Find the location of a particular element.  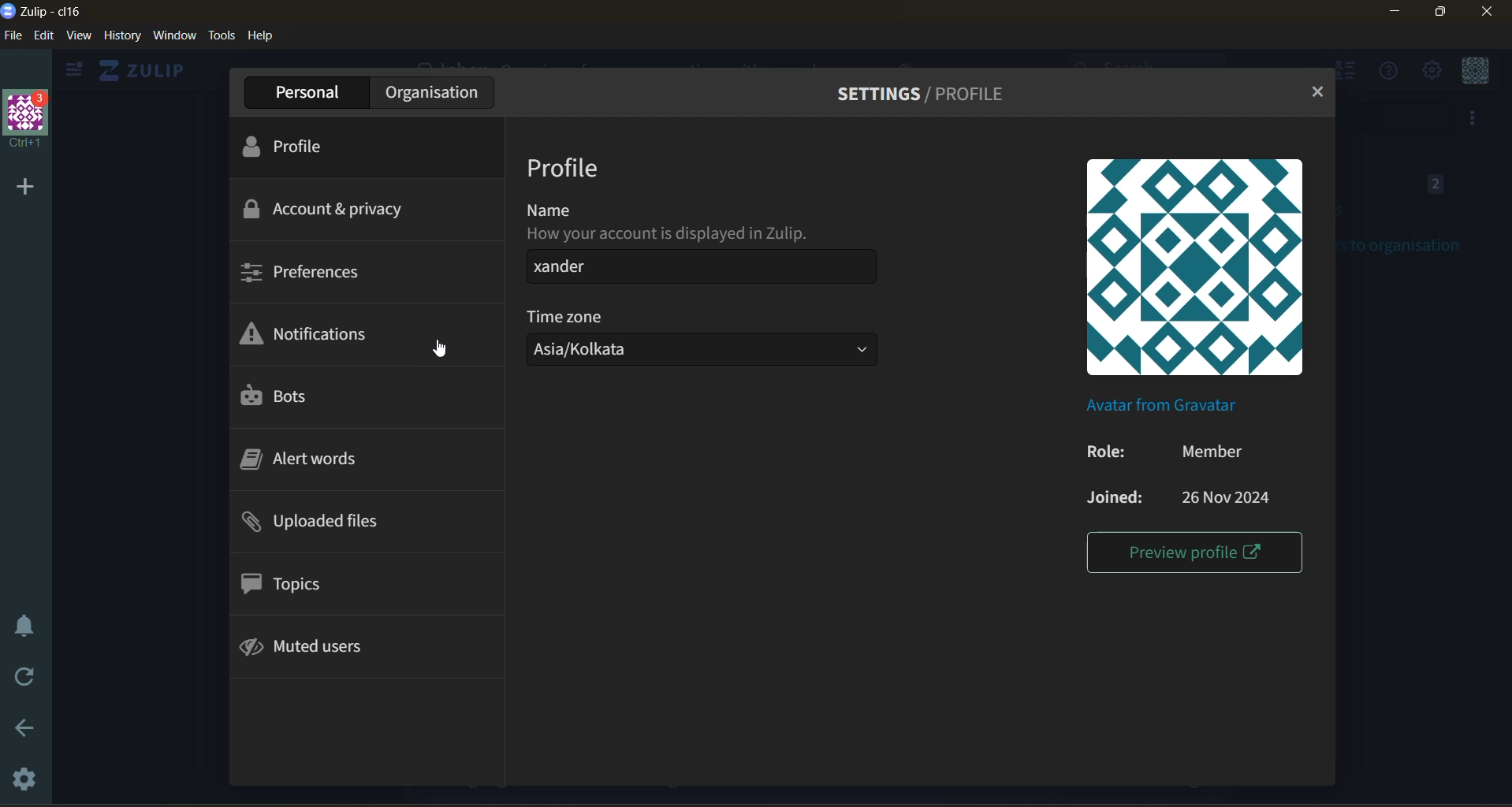

personal menu is located at coordinates (1477, 72).